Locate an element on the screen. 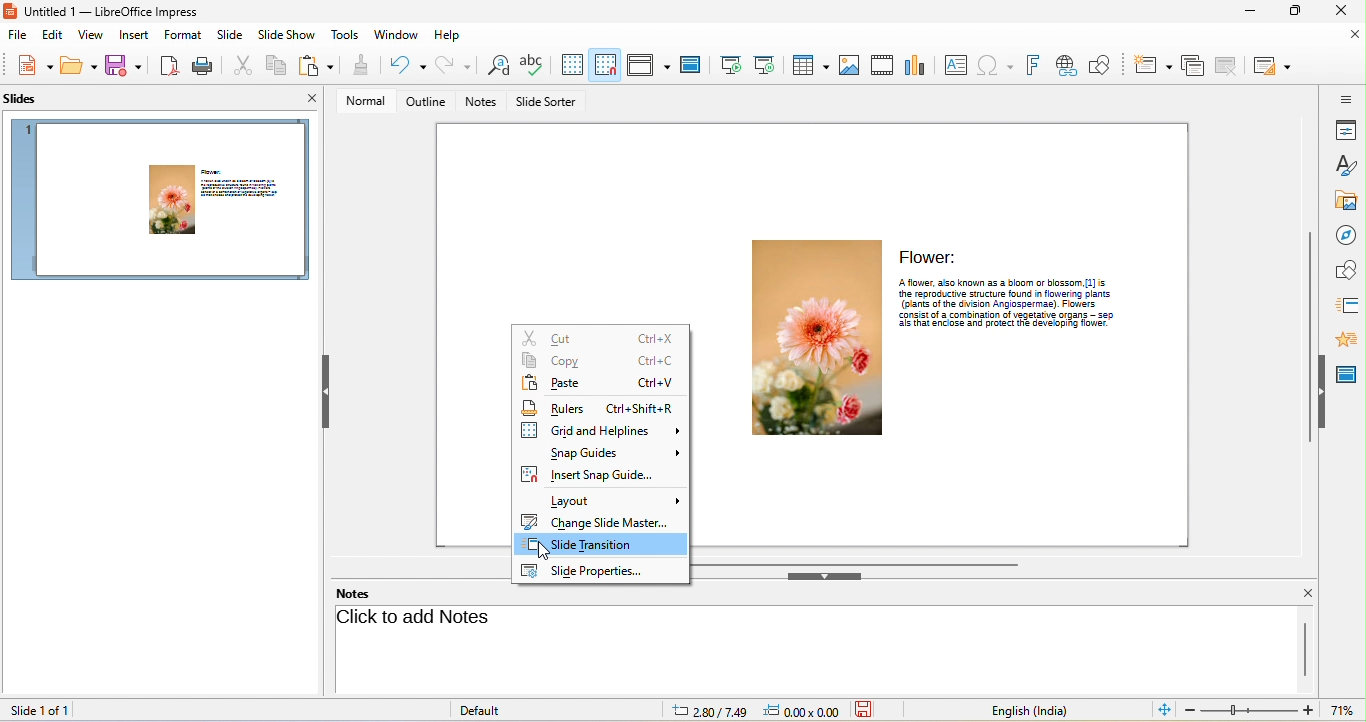 The width and height of the screenshot is (1366, 722). notes is located at coordinates (482, 101).